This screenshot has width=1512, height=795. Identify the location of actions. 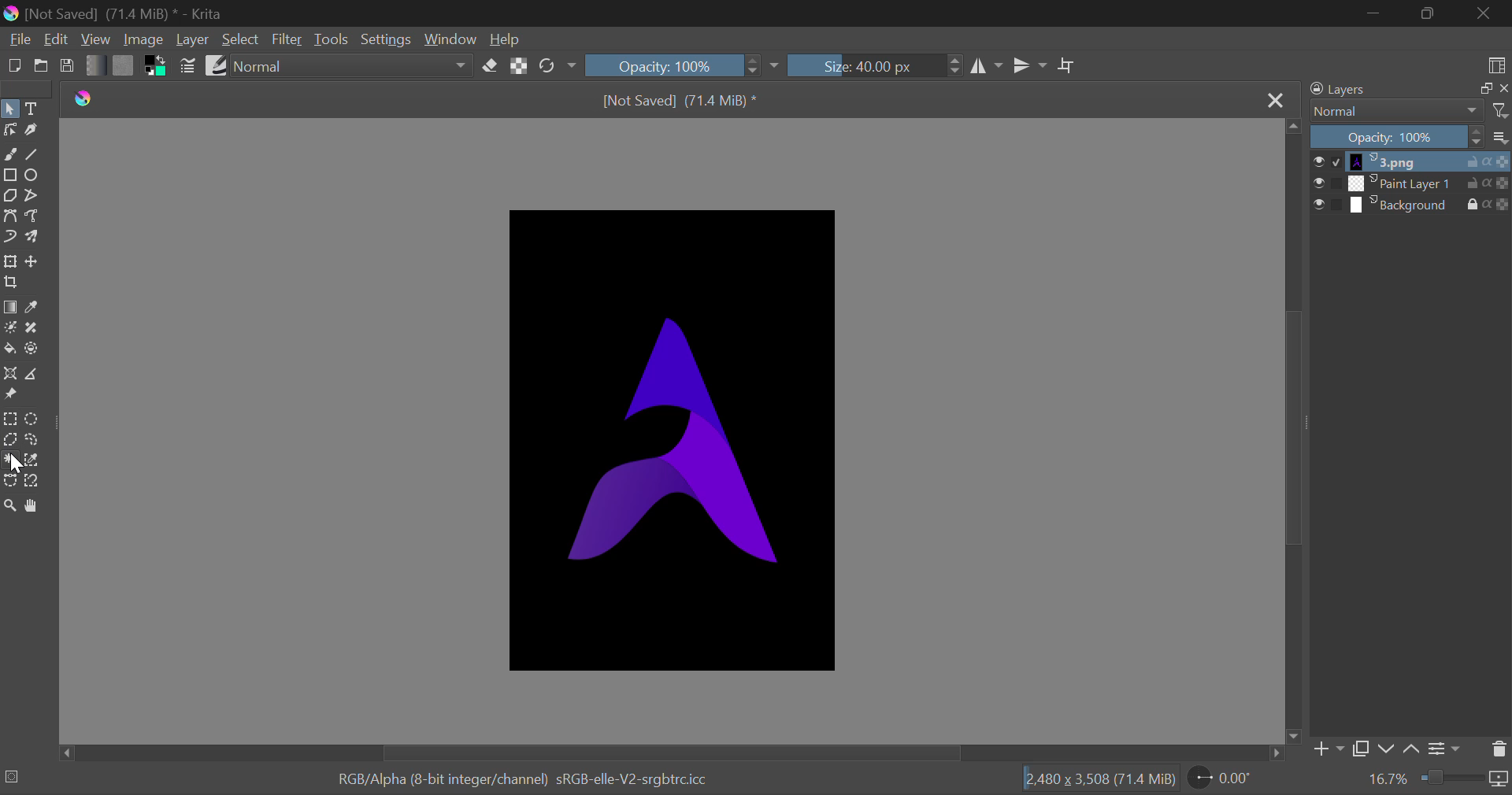
(1489, 183).